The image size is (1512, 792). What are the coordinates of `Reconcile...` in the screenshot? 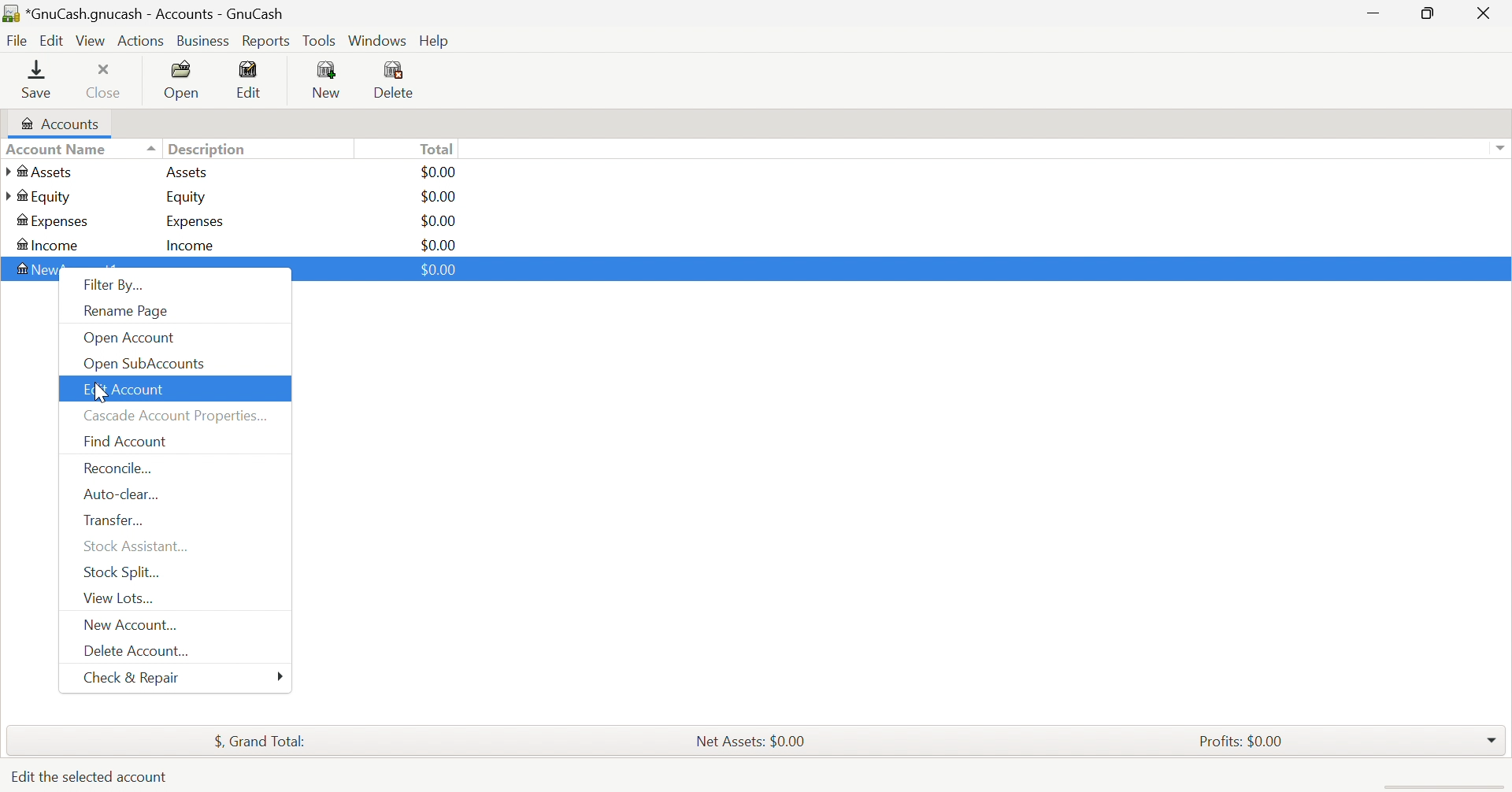 It's located at (117, 468).